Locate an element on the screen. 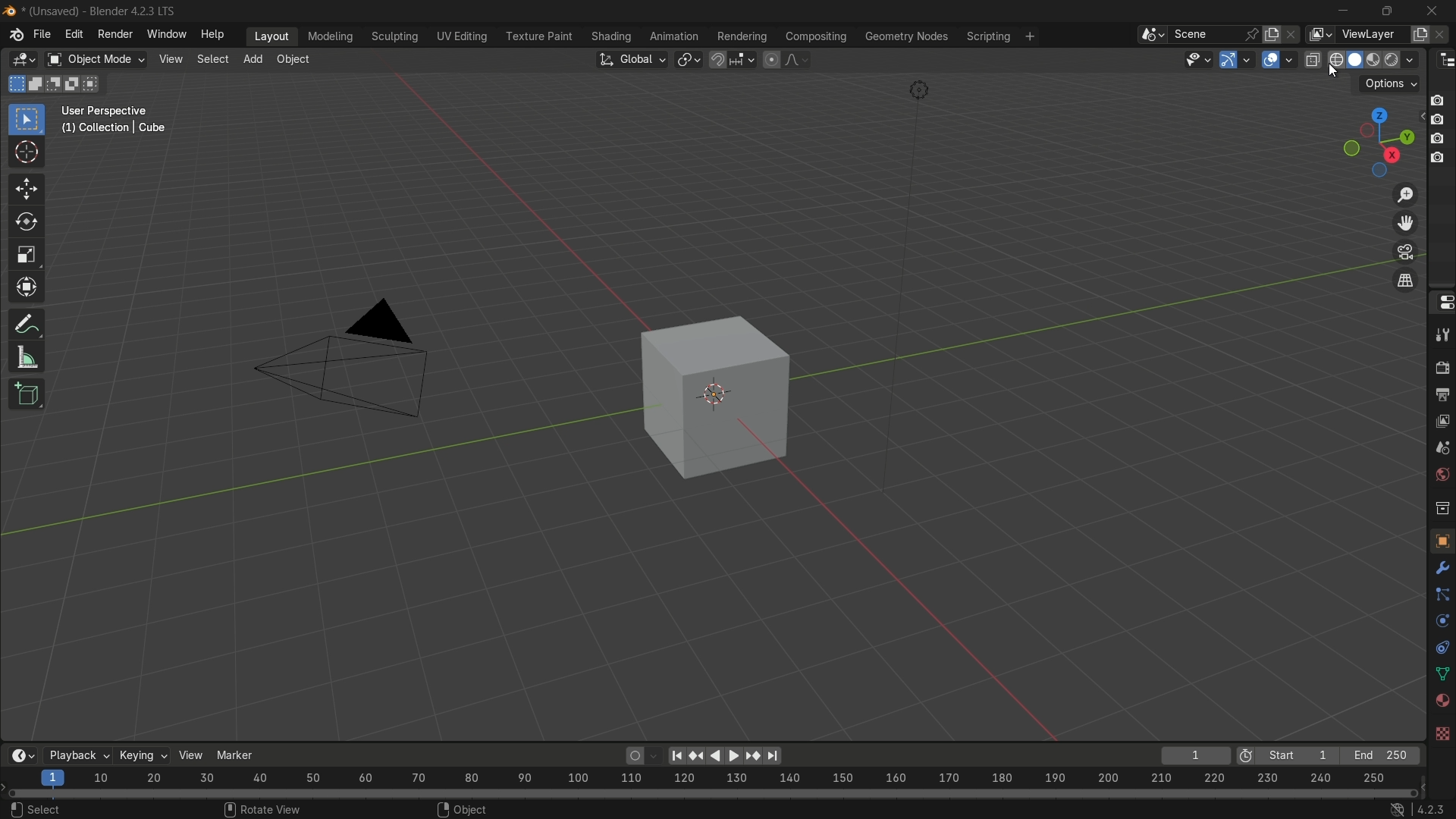  constraints is located at coordinates (1442, 645).